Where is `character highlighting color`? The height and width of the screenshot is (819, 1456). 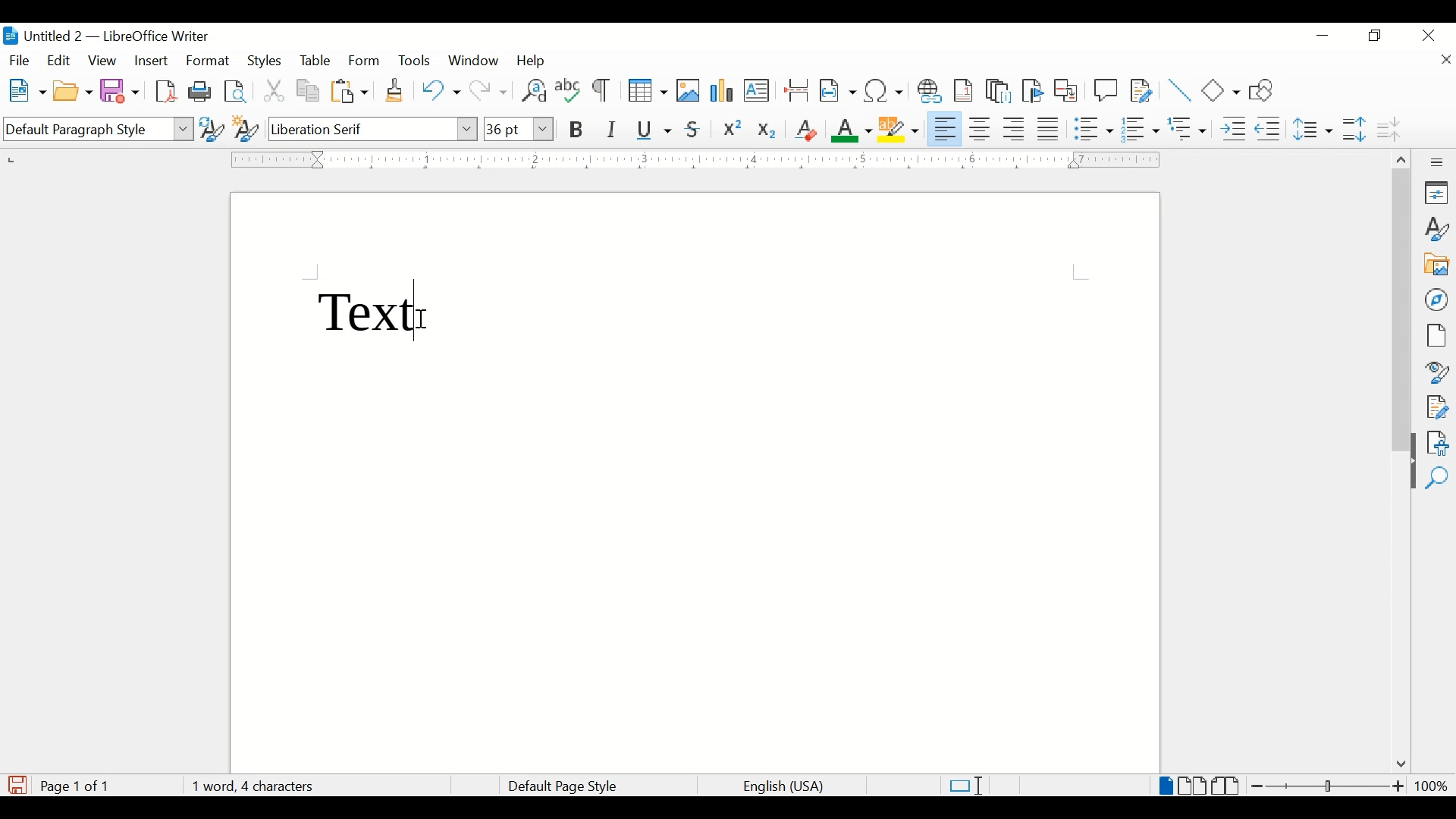 character highlighting color is located at coordinates (900, 128).